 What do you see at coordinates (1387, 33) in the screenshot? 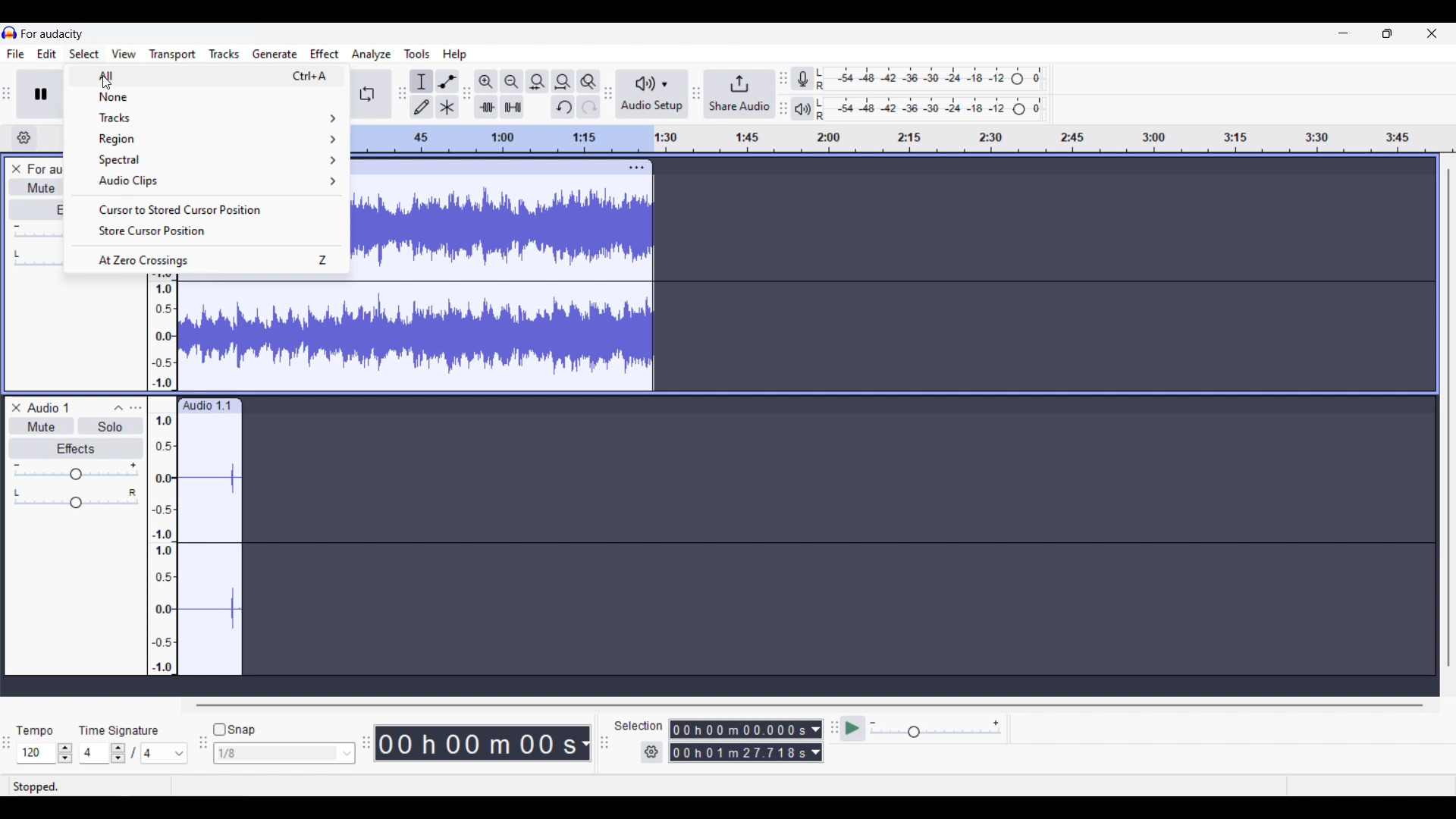
I see `Show interface in smaller tab` at bounding box center [1387, 33].